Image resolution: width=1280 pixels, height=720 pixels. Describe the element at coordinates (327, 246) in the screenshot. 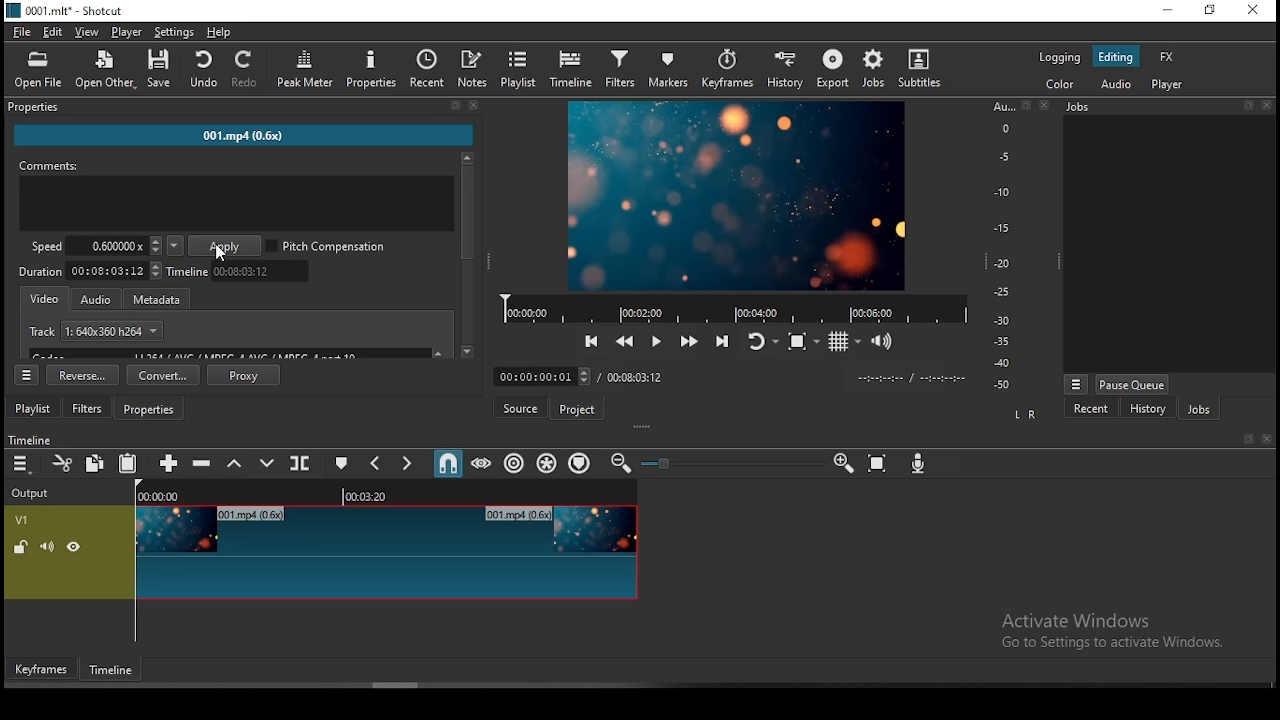

I see `pitch compression on/off` at that location.